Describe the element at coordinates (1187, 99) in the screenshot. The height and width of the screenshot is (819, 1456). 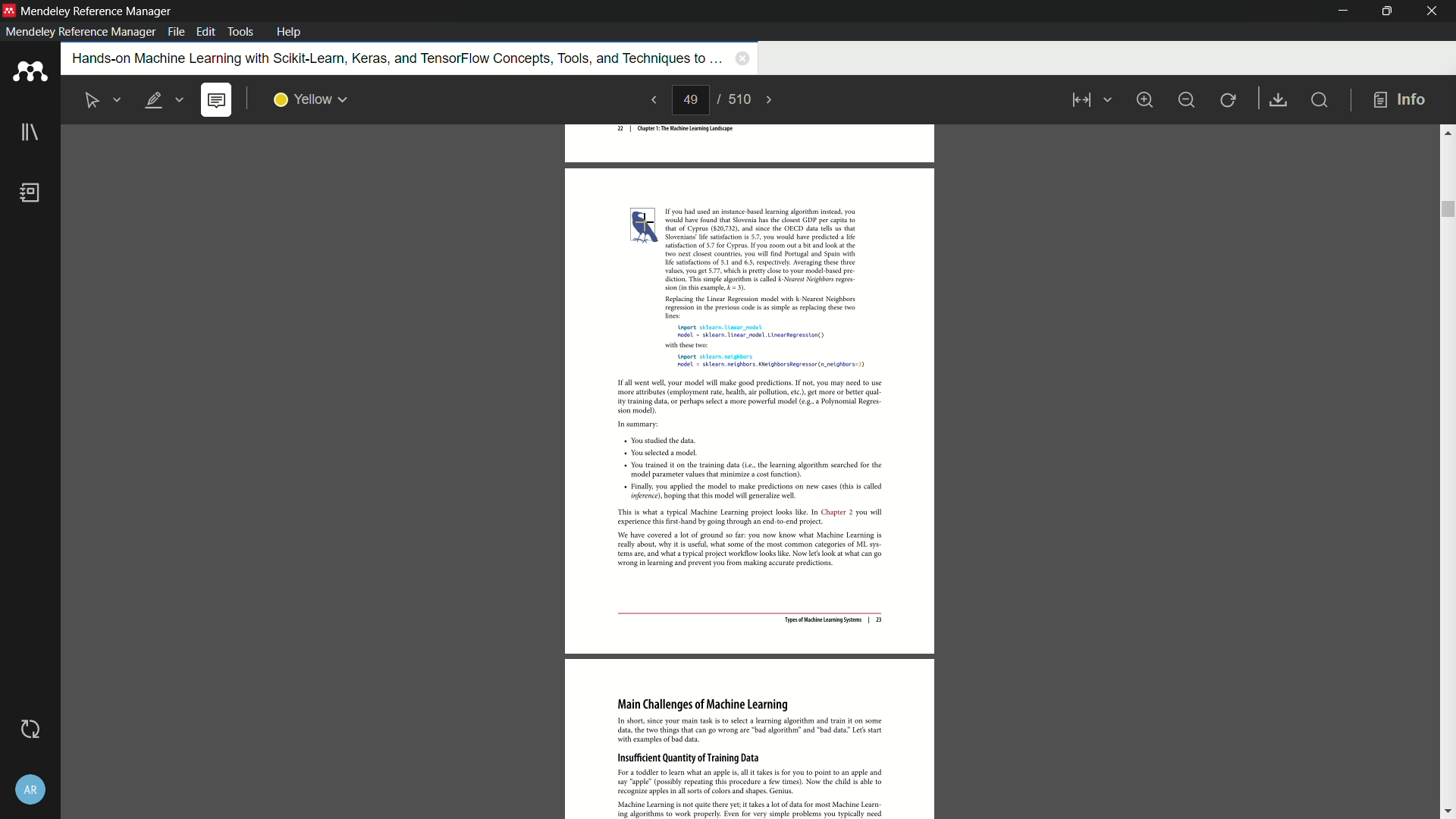
I see `zoom out` at that location.